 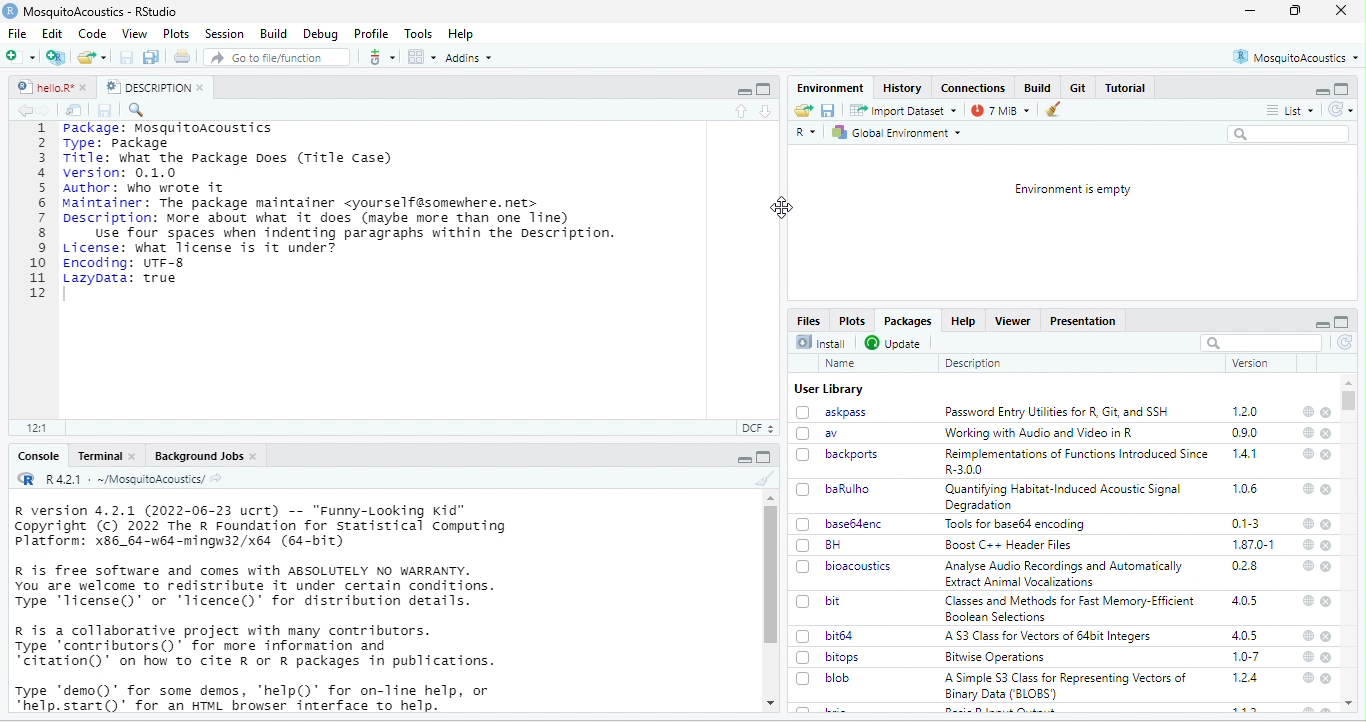 What do you see at coordinates (463, 34) in the screenshot?
I see `Help` at bounding box center [463, 34].